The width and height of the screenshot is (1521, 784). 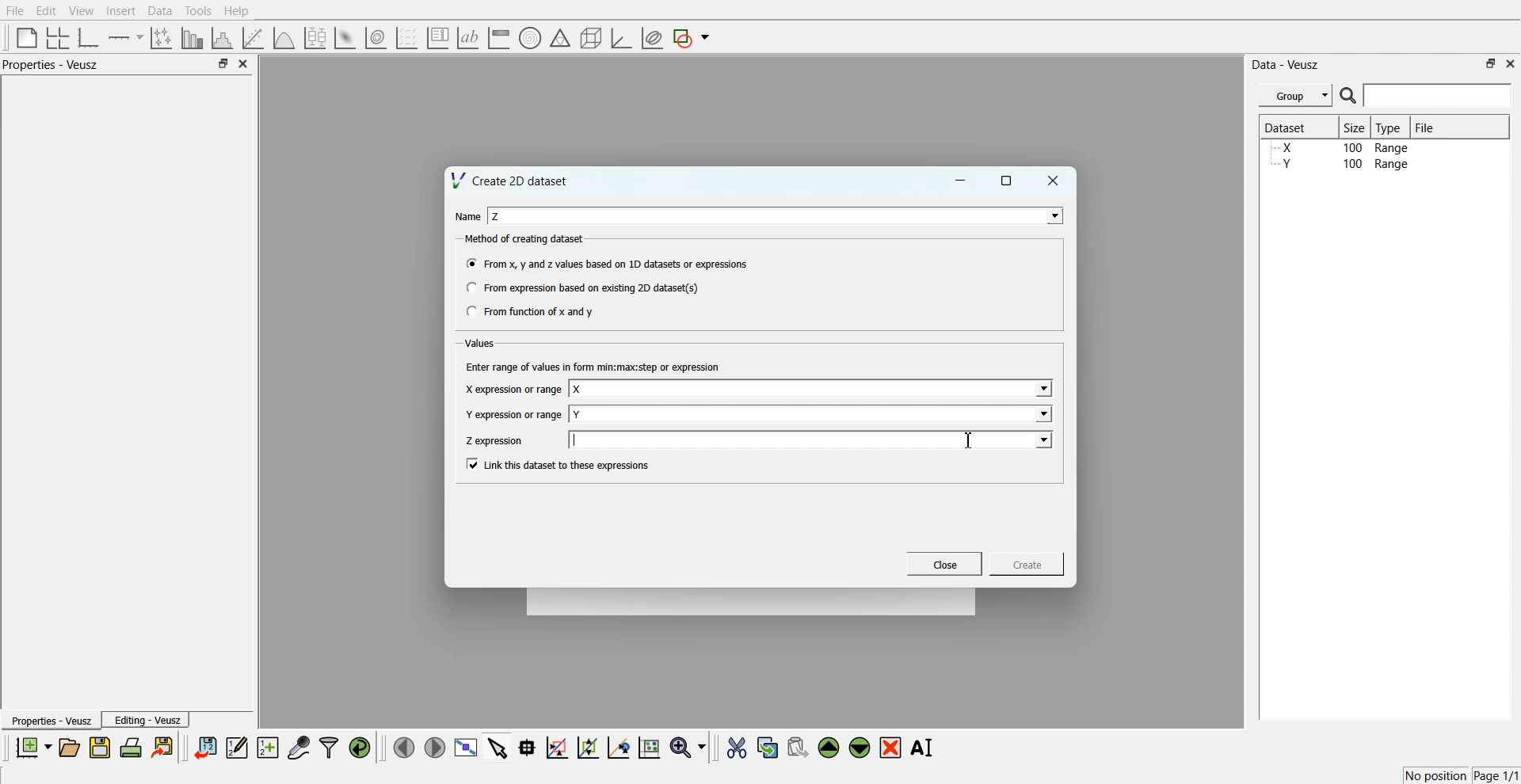 What do you see at coordinates (205, 747) in the screenshot?
I see `Import dataset from veusz` at bounding box center [205, 747].